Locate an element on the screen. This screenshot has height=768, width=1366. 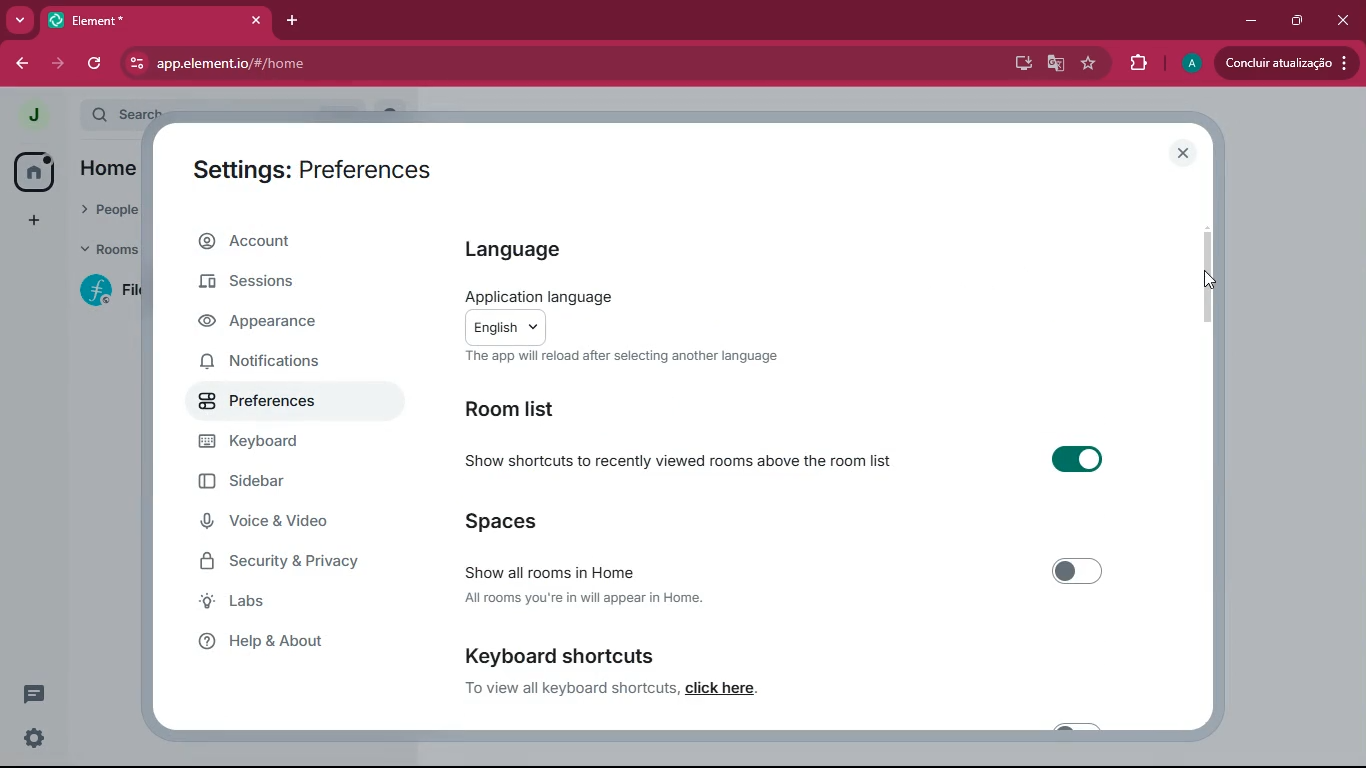
close is located at coordinates (1184, 153).